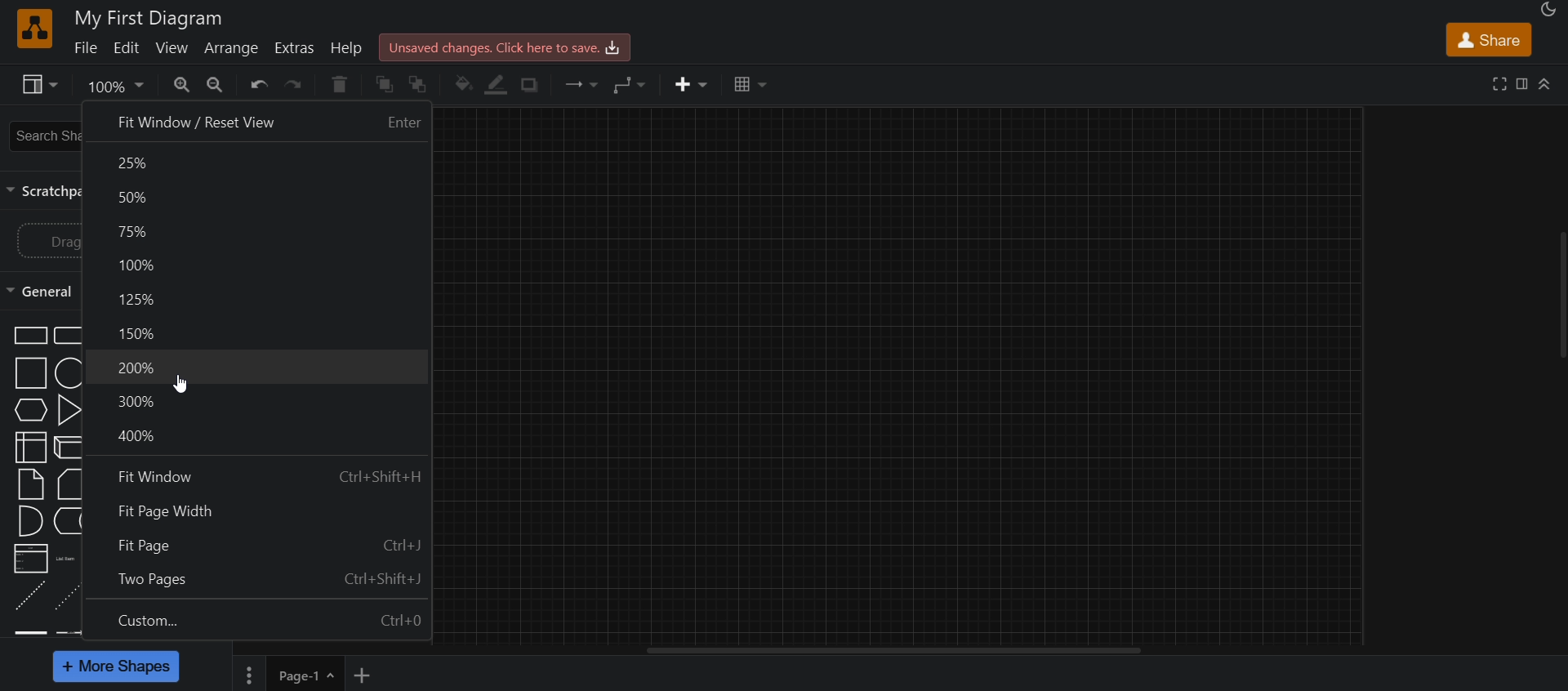  I want to click on fit window, so click(262, 479).